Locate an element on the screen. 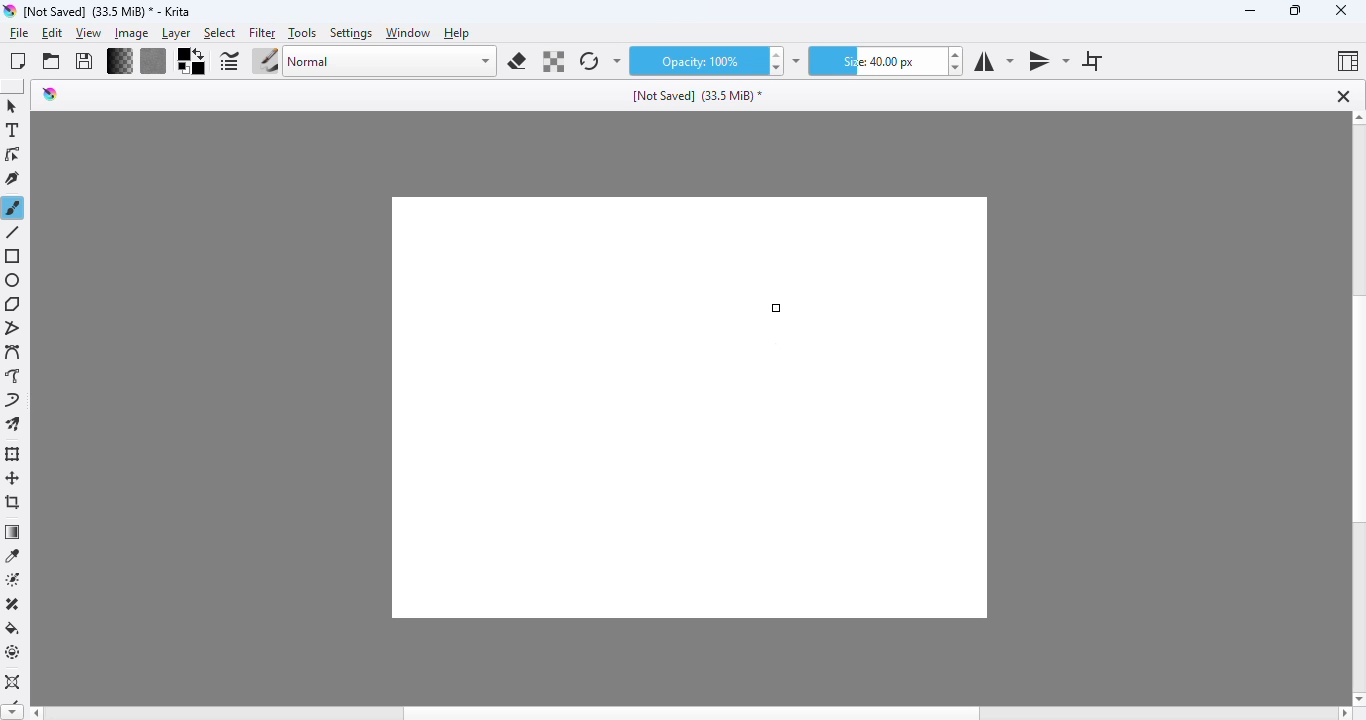 The image size is (1366, 720). move a layer is located at coordinates (13, 479).